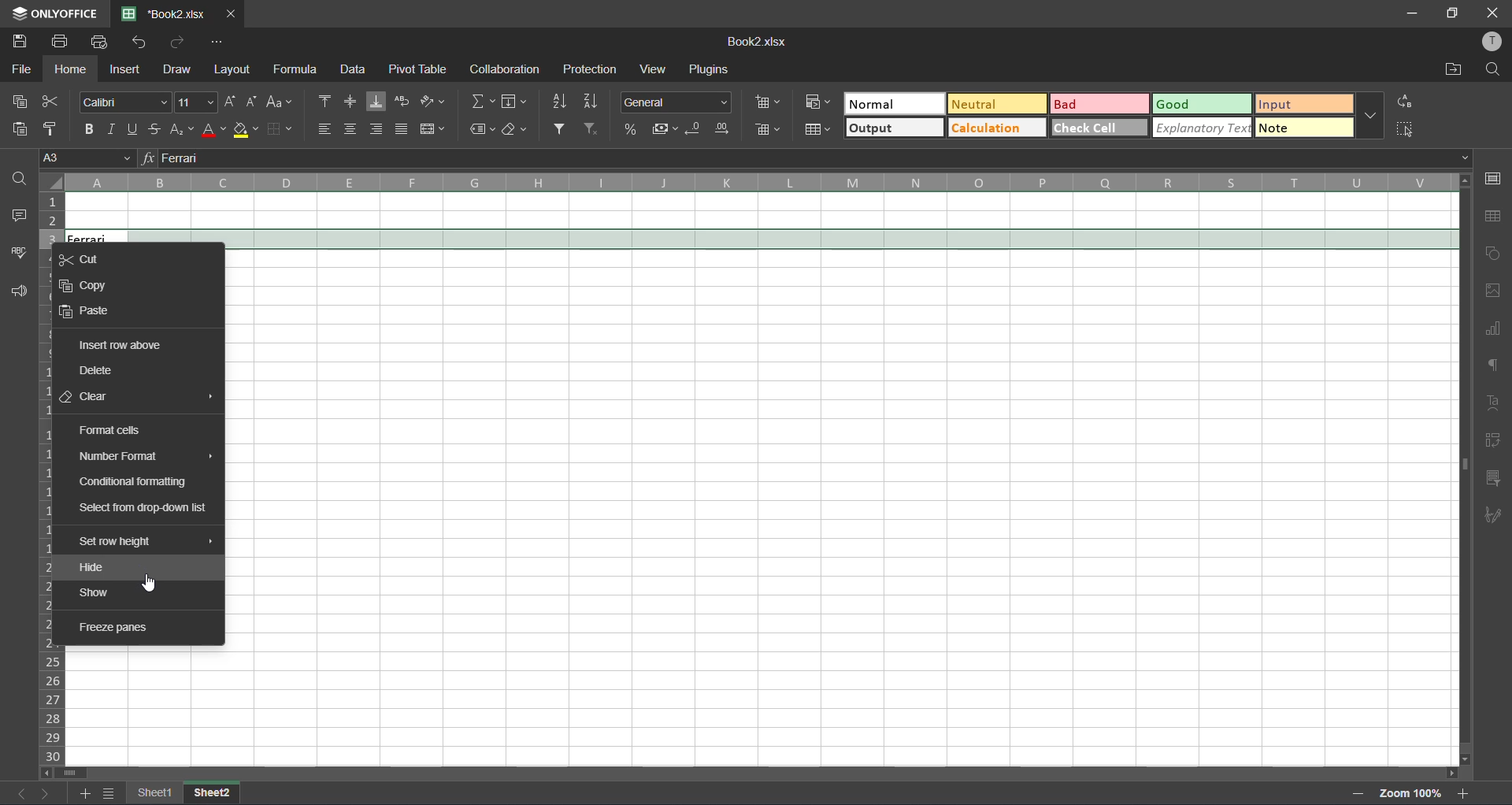 Image resolution: width=1512 pixels, height=805 pixels. What do you see at coordinates (403, 103) in the screenshot?
I see `wrap text` at bounding box center [403, 103].